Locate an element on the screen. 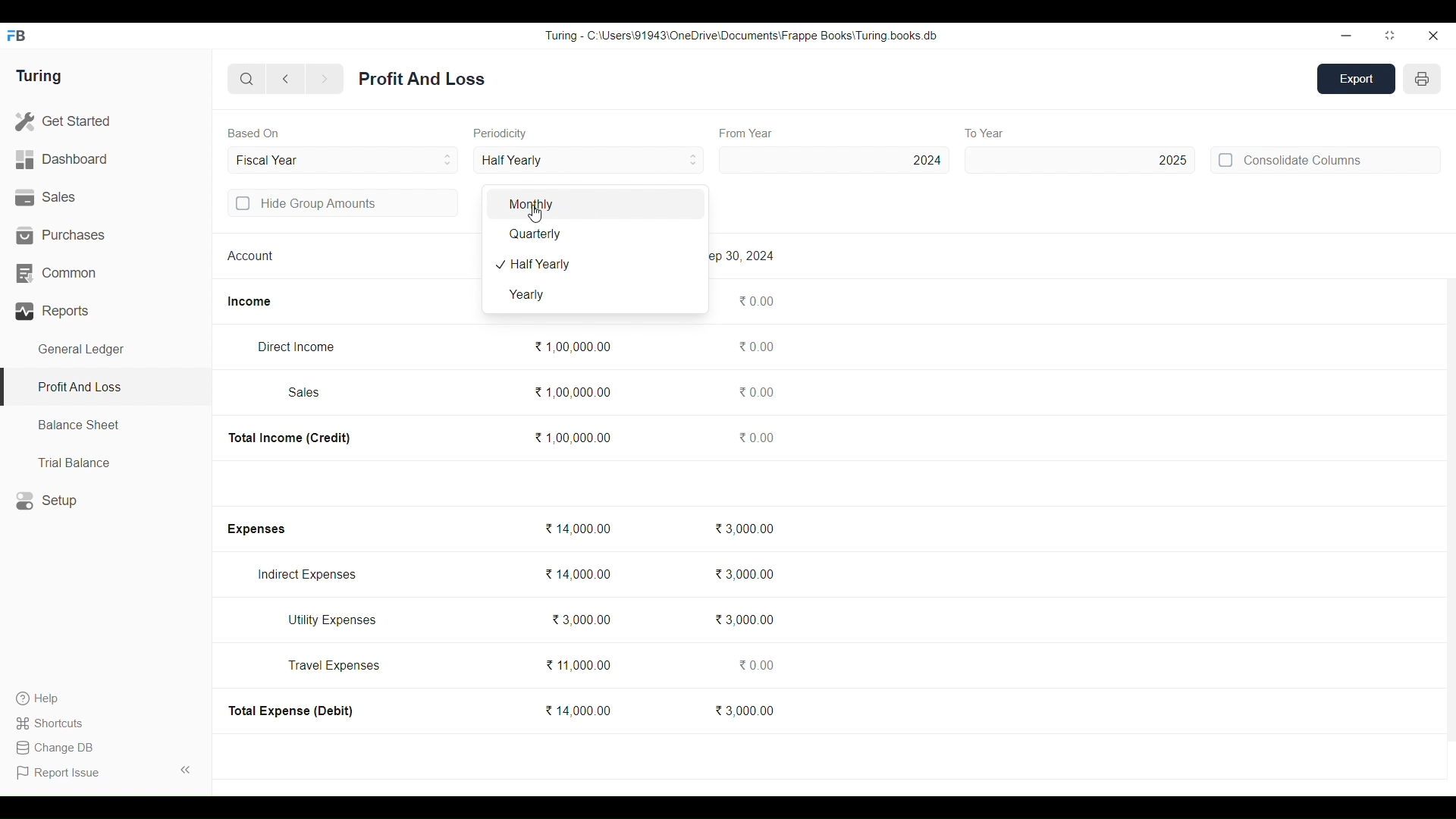 This screenshot has width=1456, height=819. Indirect Expenses is located at coordinates (307, 575).